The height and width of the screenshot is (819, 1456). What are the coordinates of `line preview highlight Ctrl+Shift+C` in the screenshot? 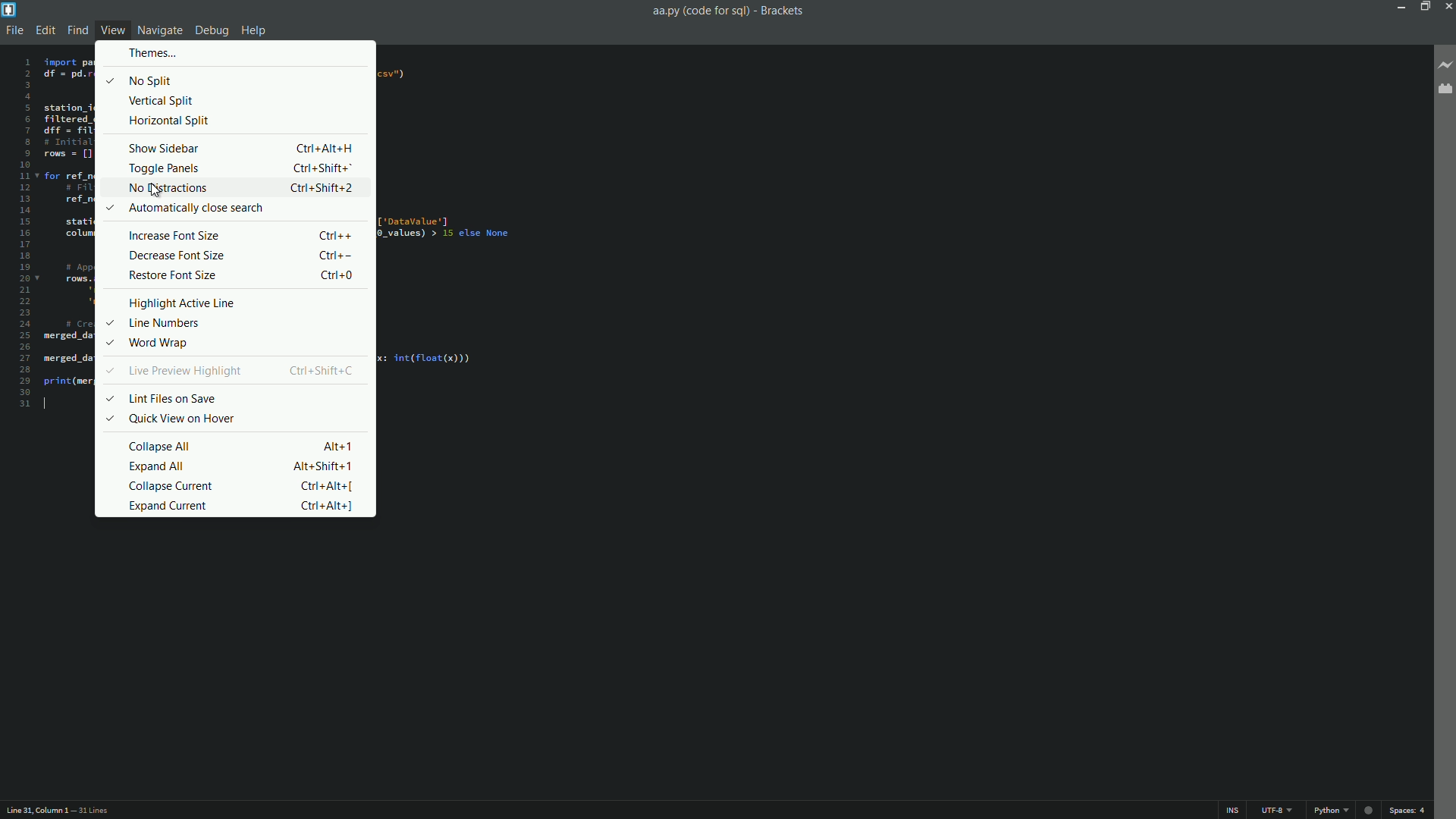 It's located at (243, 370).